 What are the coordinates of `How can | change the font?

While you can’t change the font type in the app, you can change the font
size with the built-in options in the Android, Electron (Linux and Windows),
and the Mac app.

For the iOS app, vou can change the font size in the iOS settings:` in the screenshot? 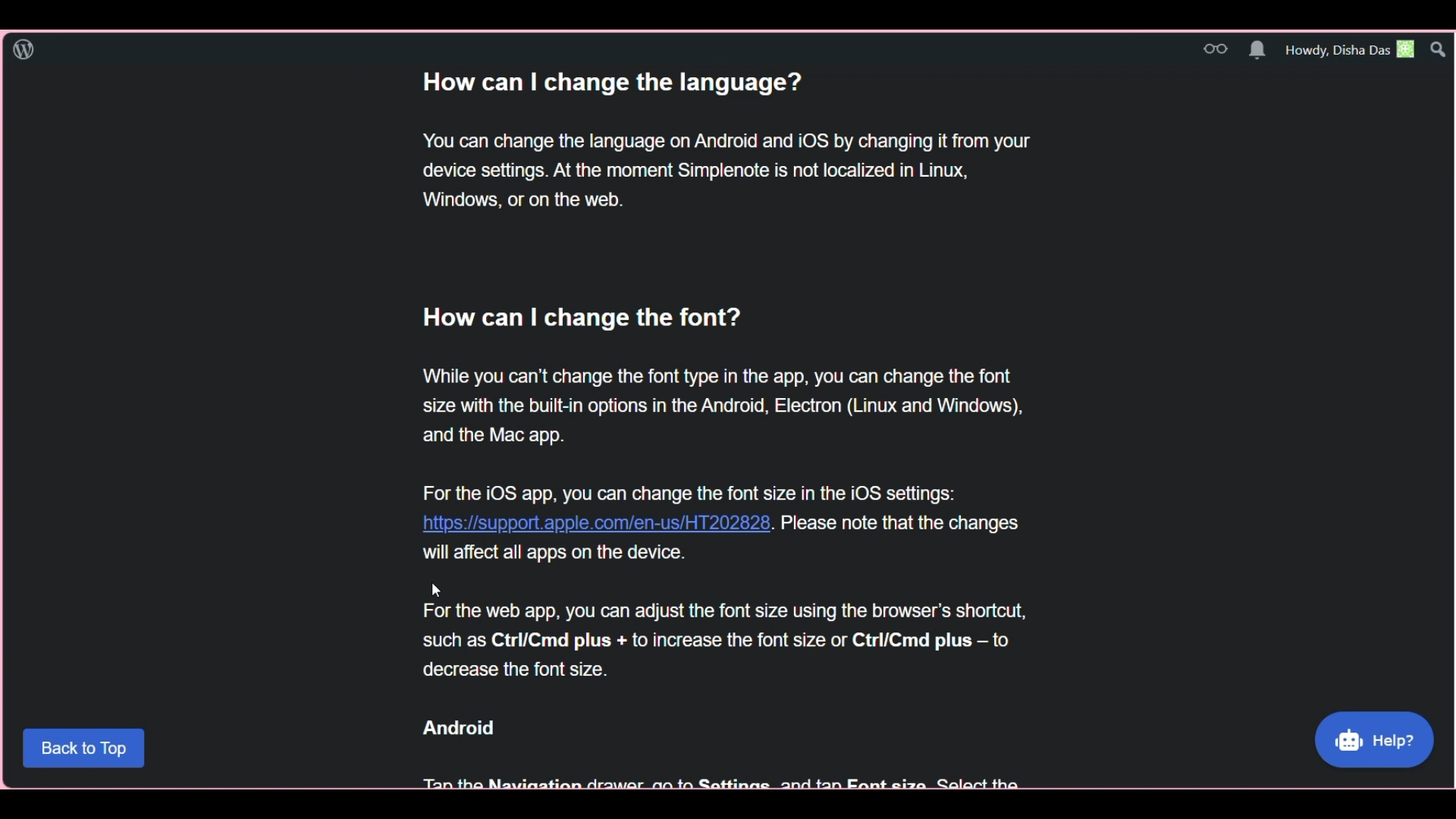 It's located at (727, 399).